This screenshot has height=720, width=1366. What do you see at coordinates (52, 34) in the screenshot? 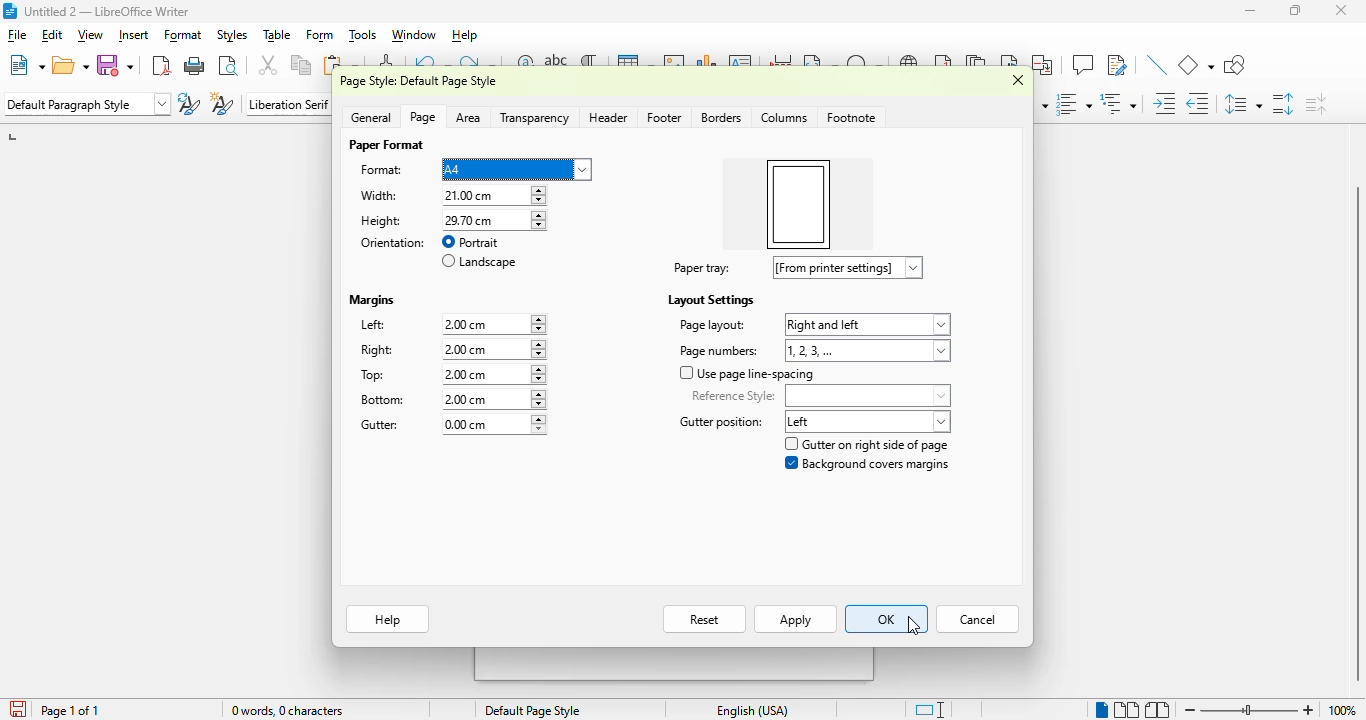
I see `edit` at bounding box center [52, 34].